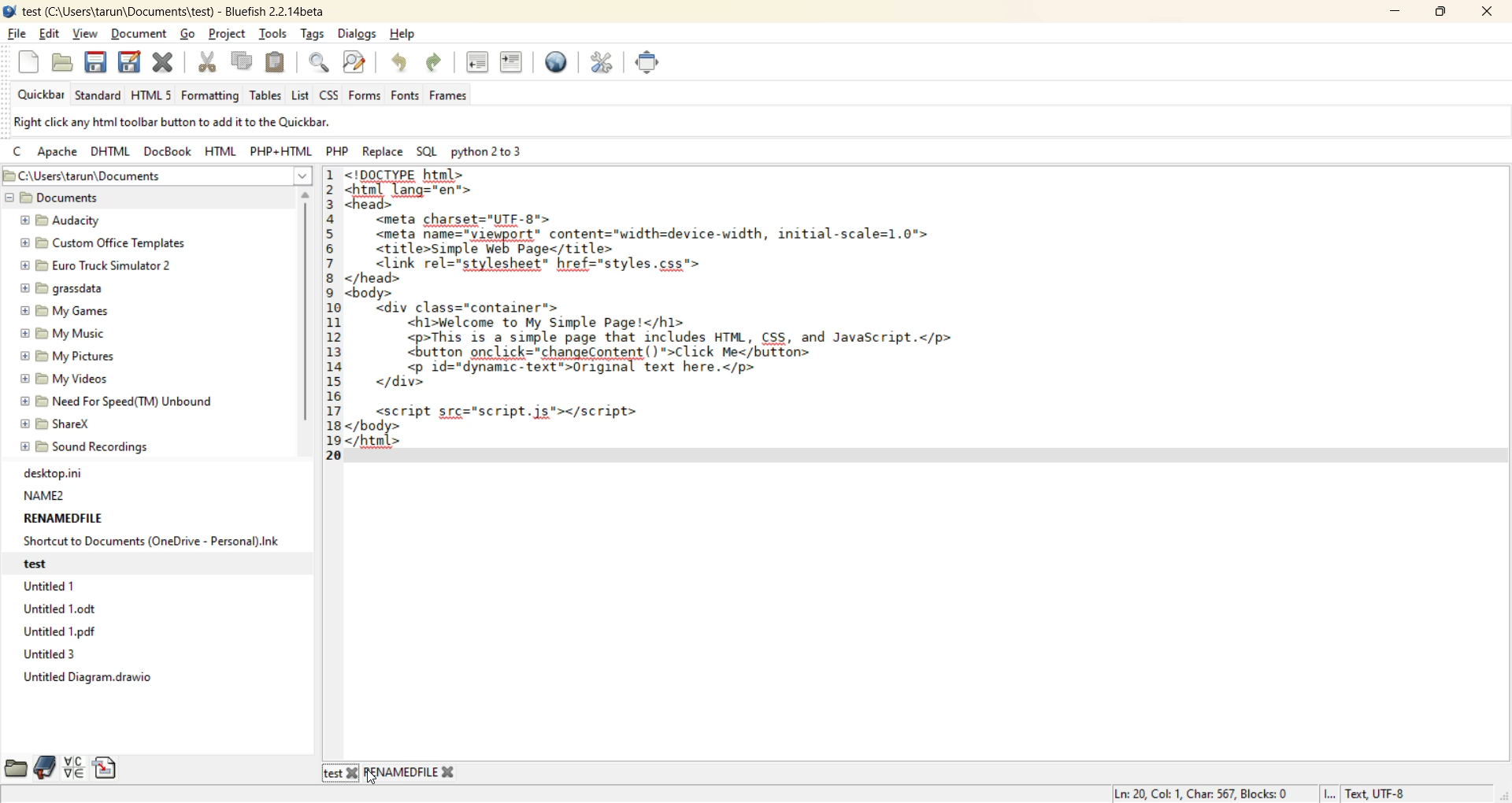 The image size is (1512, 803). What do you see at coordinates (447, 772) in the screenshot?
I see `` at bounding box center [447, 772].